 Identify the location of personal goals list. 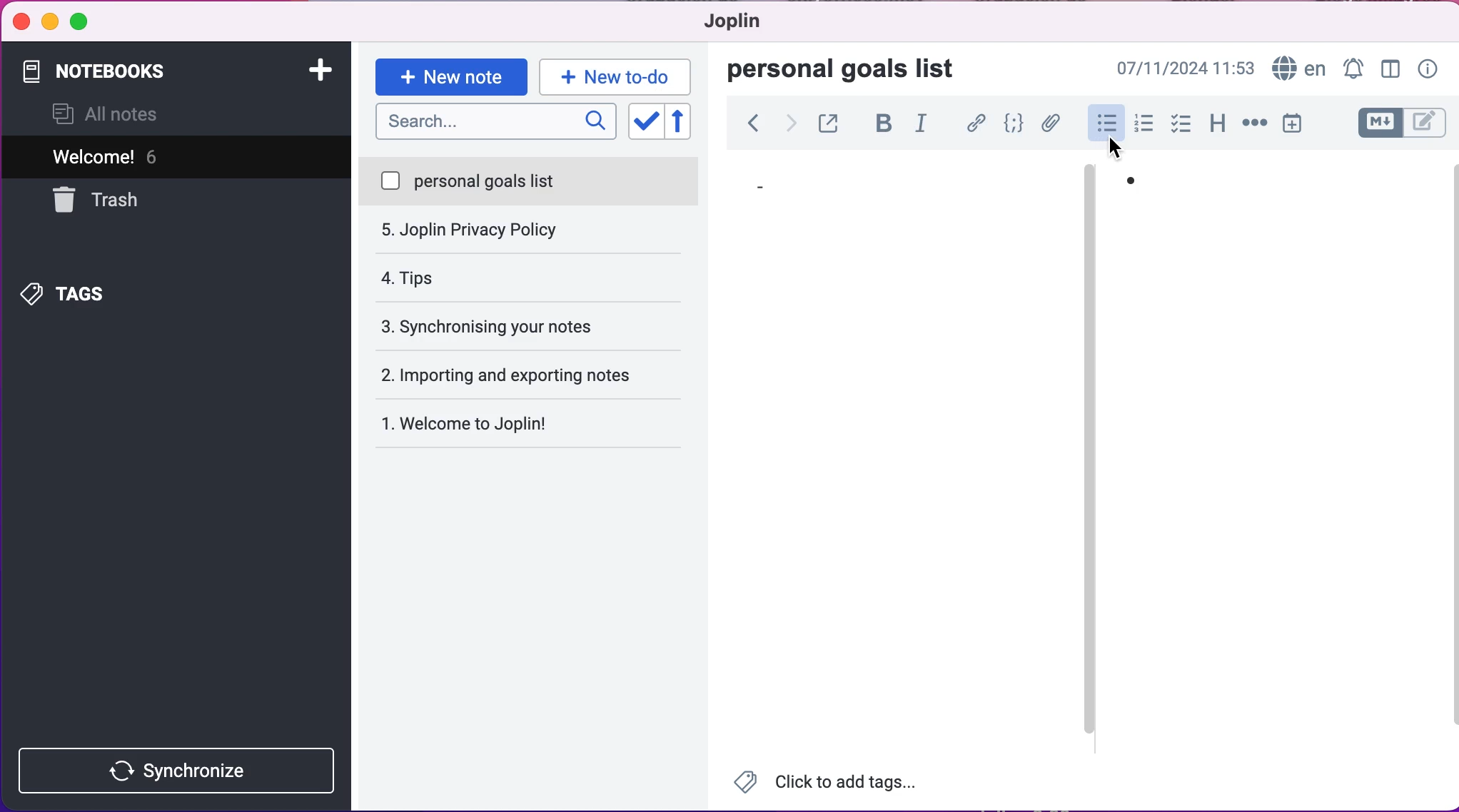
(851, 70).